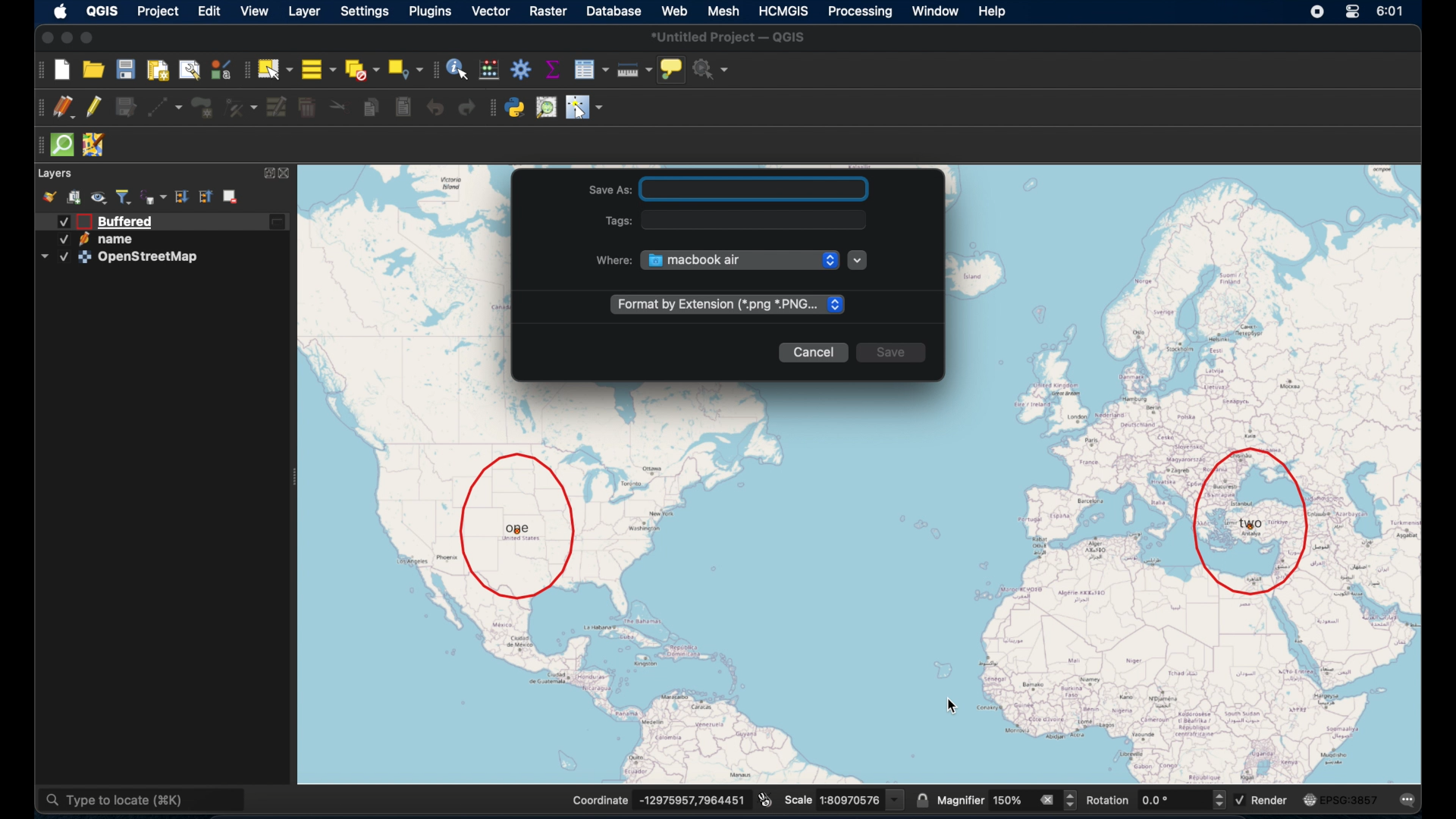 The width and height of the screenshot is (1456, 819). Describe the element at coordinates (674, 8) in the screenshot. I see `web` at that location.